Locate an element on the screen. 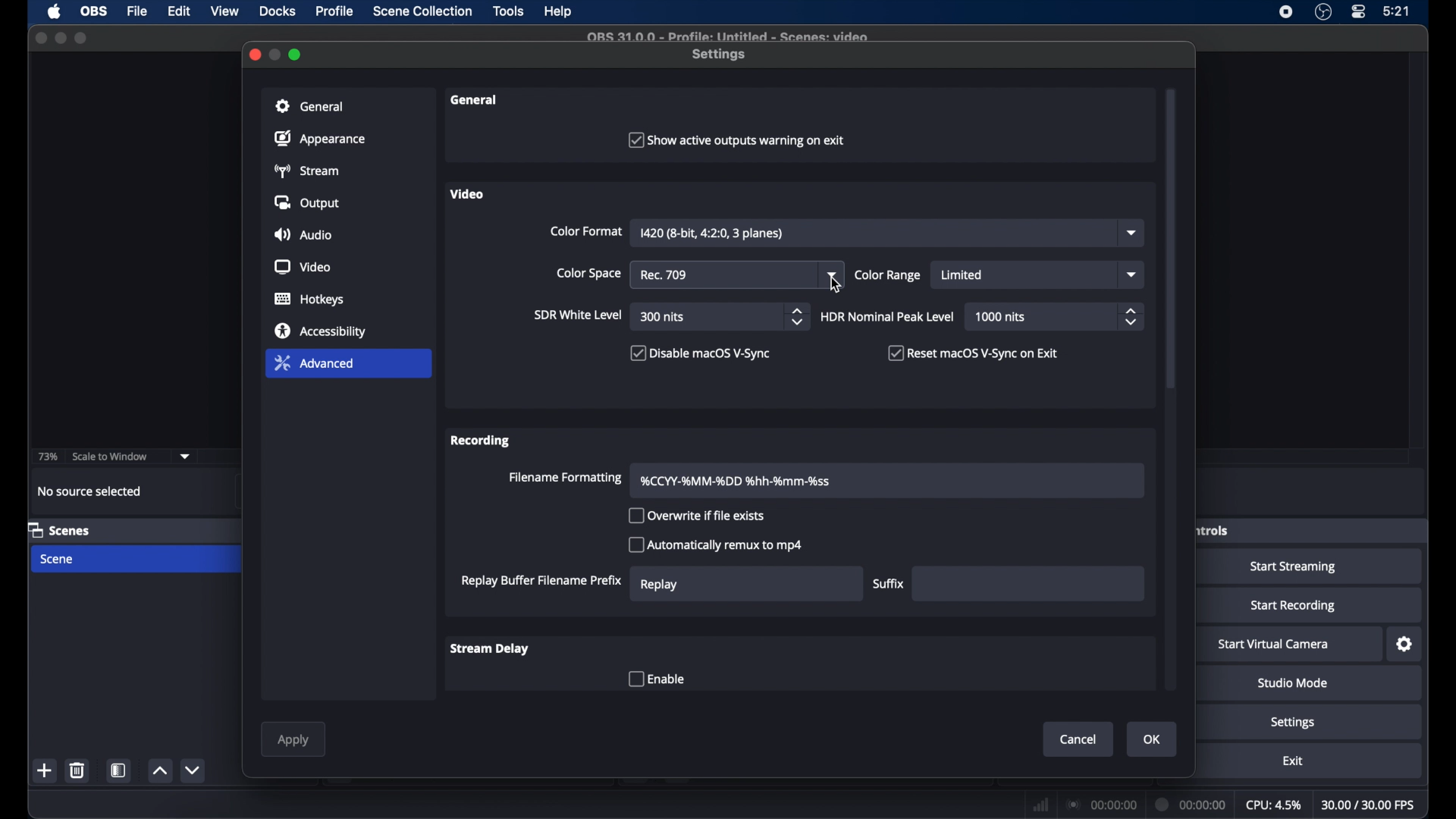 The height and width of the screenshot is (819, 1456). color format is located at coordinates (586, 231).